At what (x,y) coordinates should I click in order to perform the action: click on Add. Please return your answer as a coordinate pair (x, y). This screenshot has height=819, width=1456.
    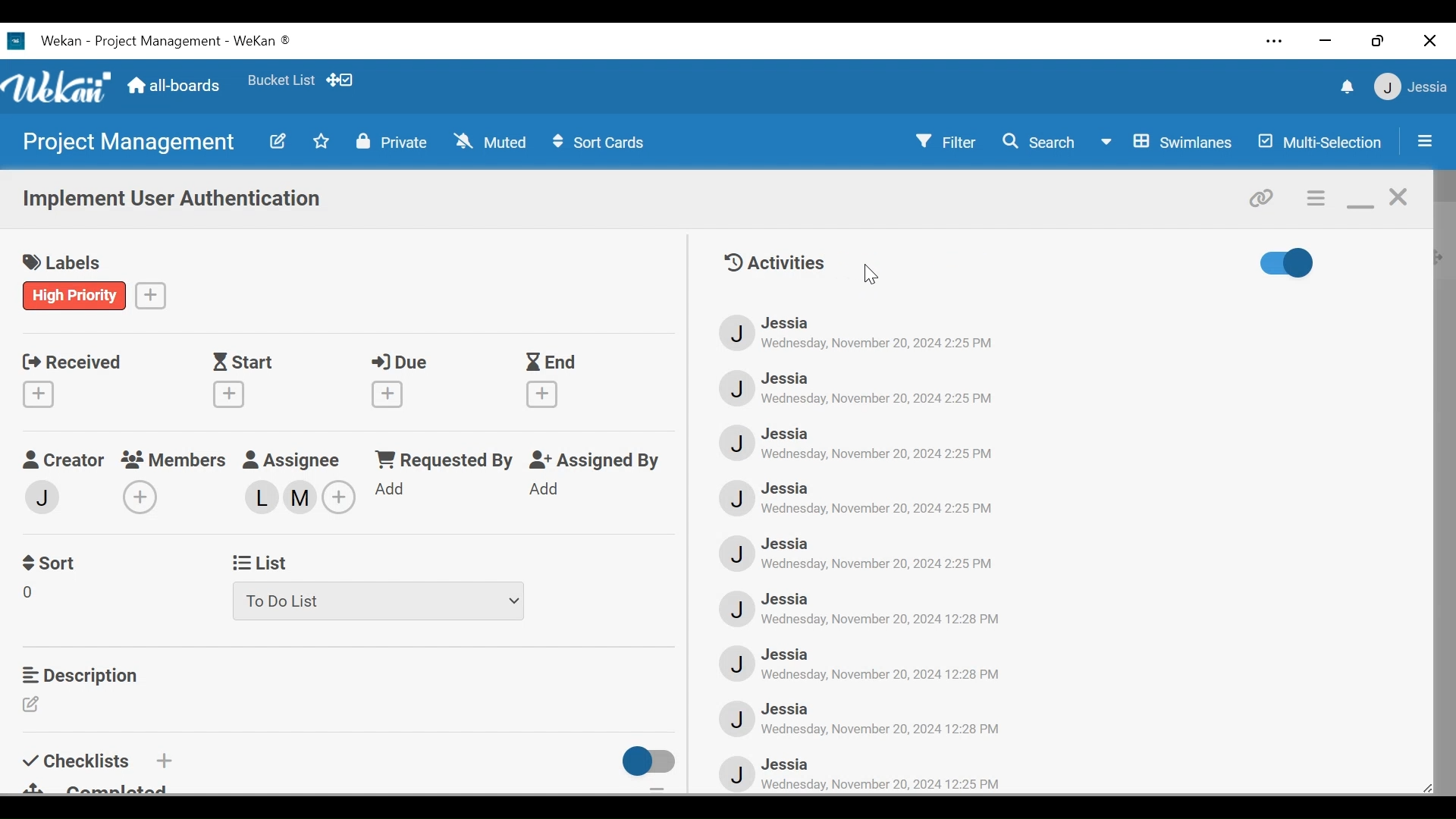
    Looking at the image, I should click on (39, 497).